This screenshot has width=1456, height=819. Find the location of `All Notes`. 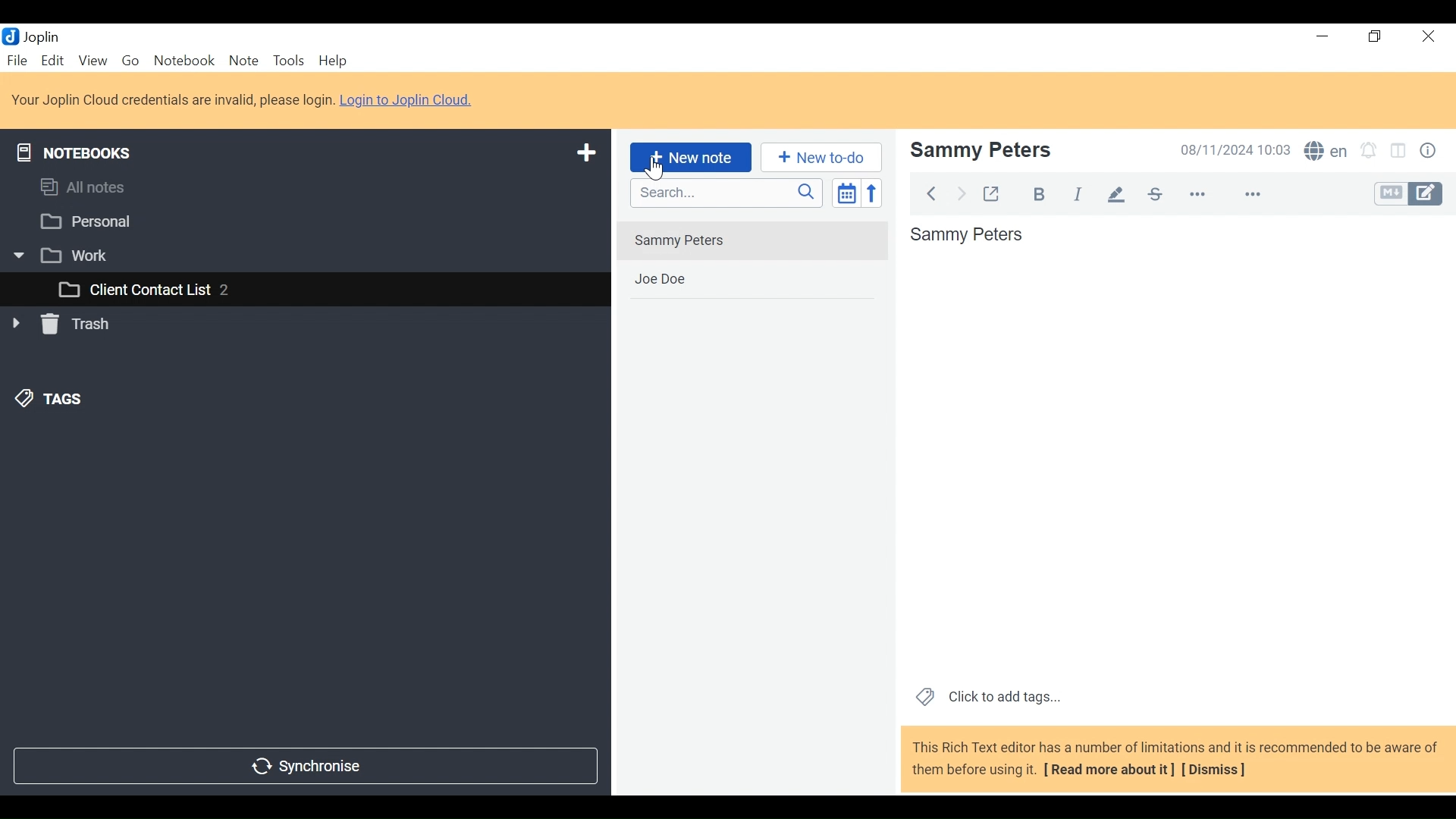

All Notes is located at coordinates (304, 190).